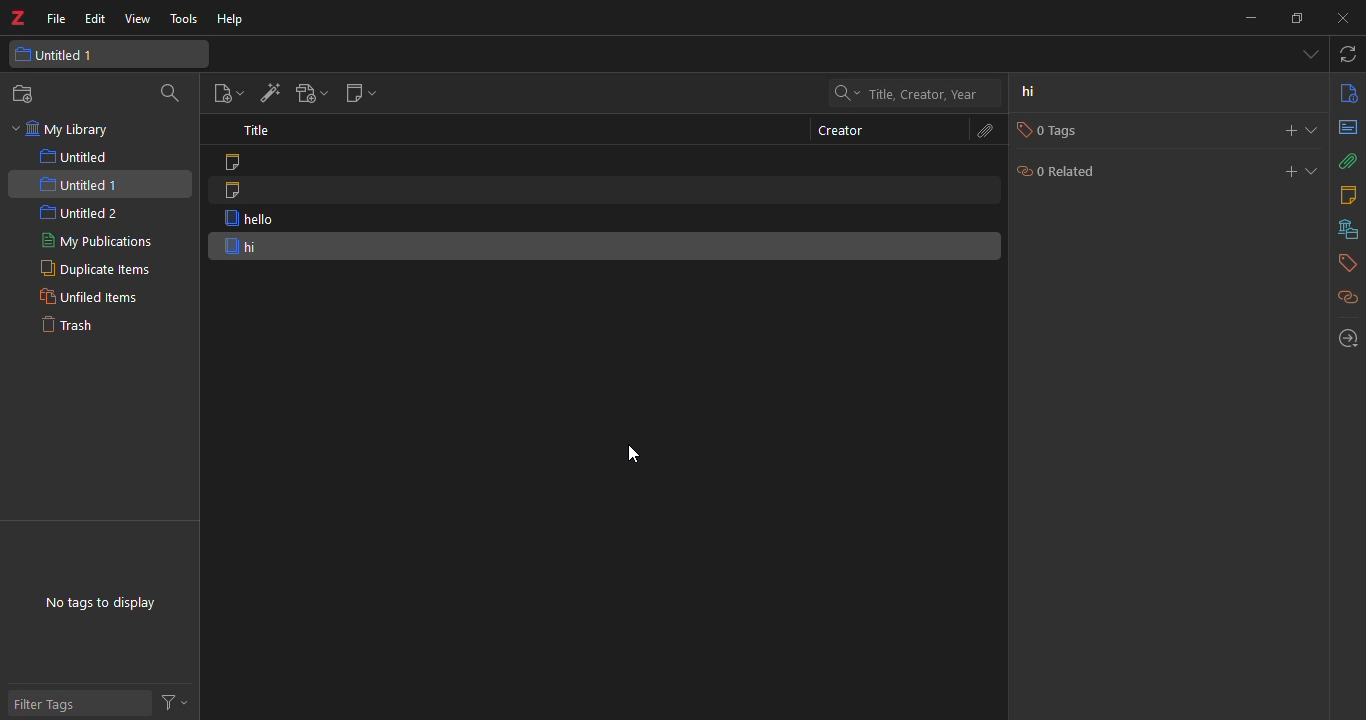 This screenshot has width=1366, height=720. I want to click on note, so click(235, 190).